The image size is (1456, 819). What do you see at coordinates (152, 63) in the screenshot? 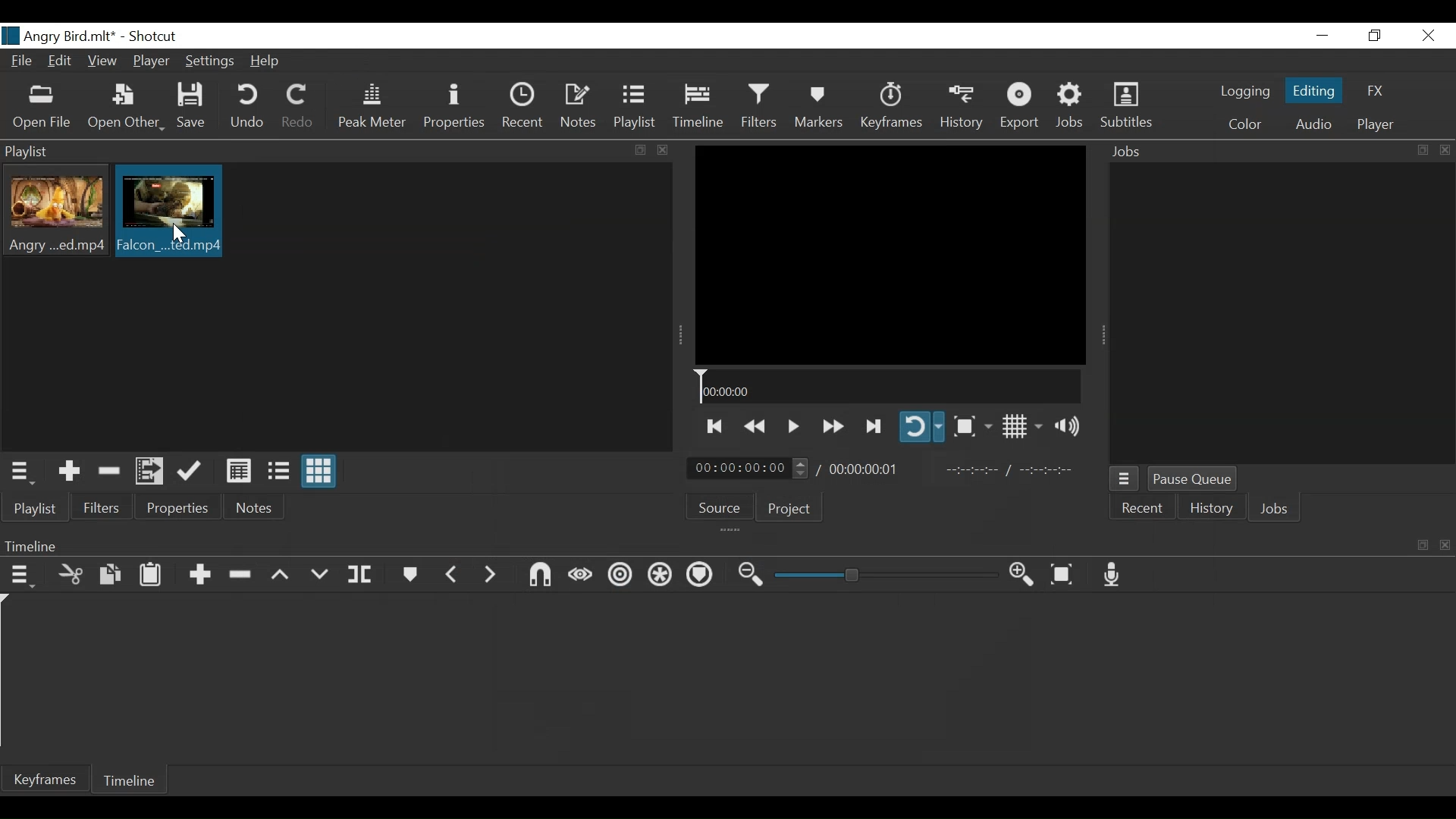
I see `Player` at bounding box center [152, 63].